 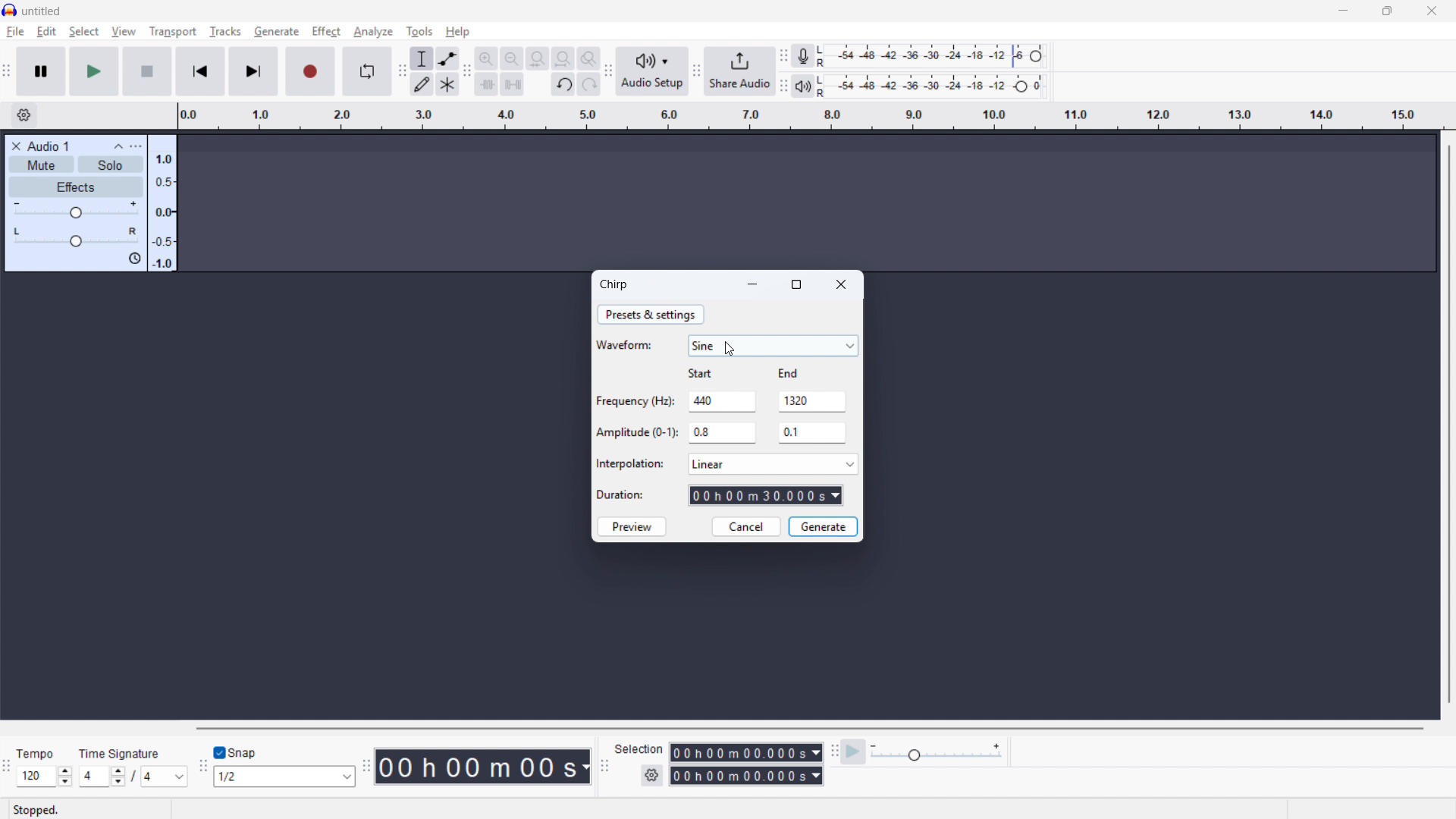 I want to click on Quit selection to width , so click(x=538, y=59).